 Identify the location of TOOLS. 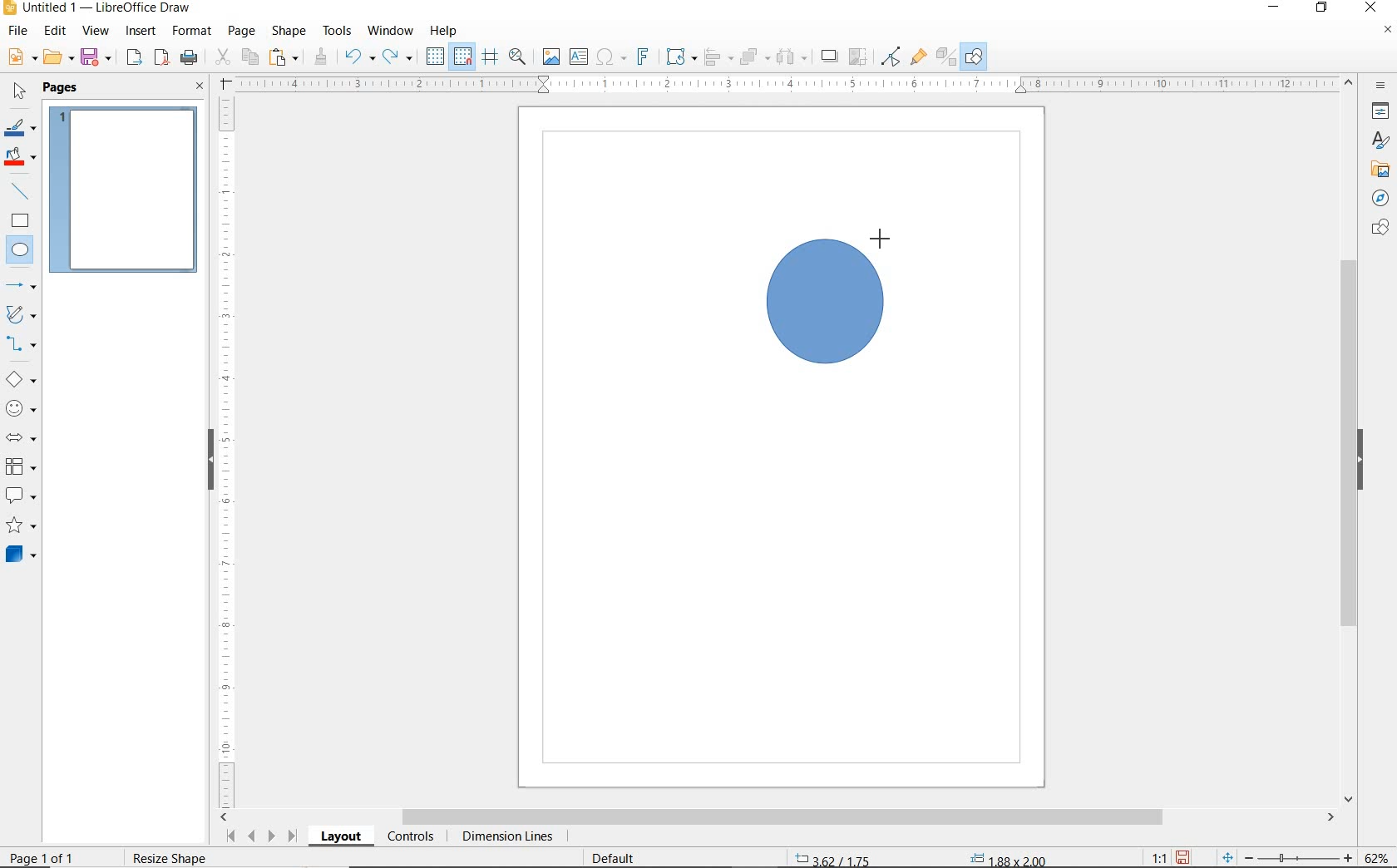
(337, 30).